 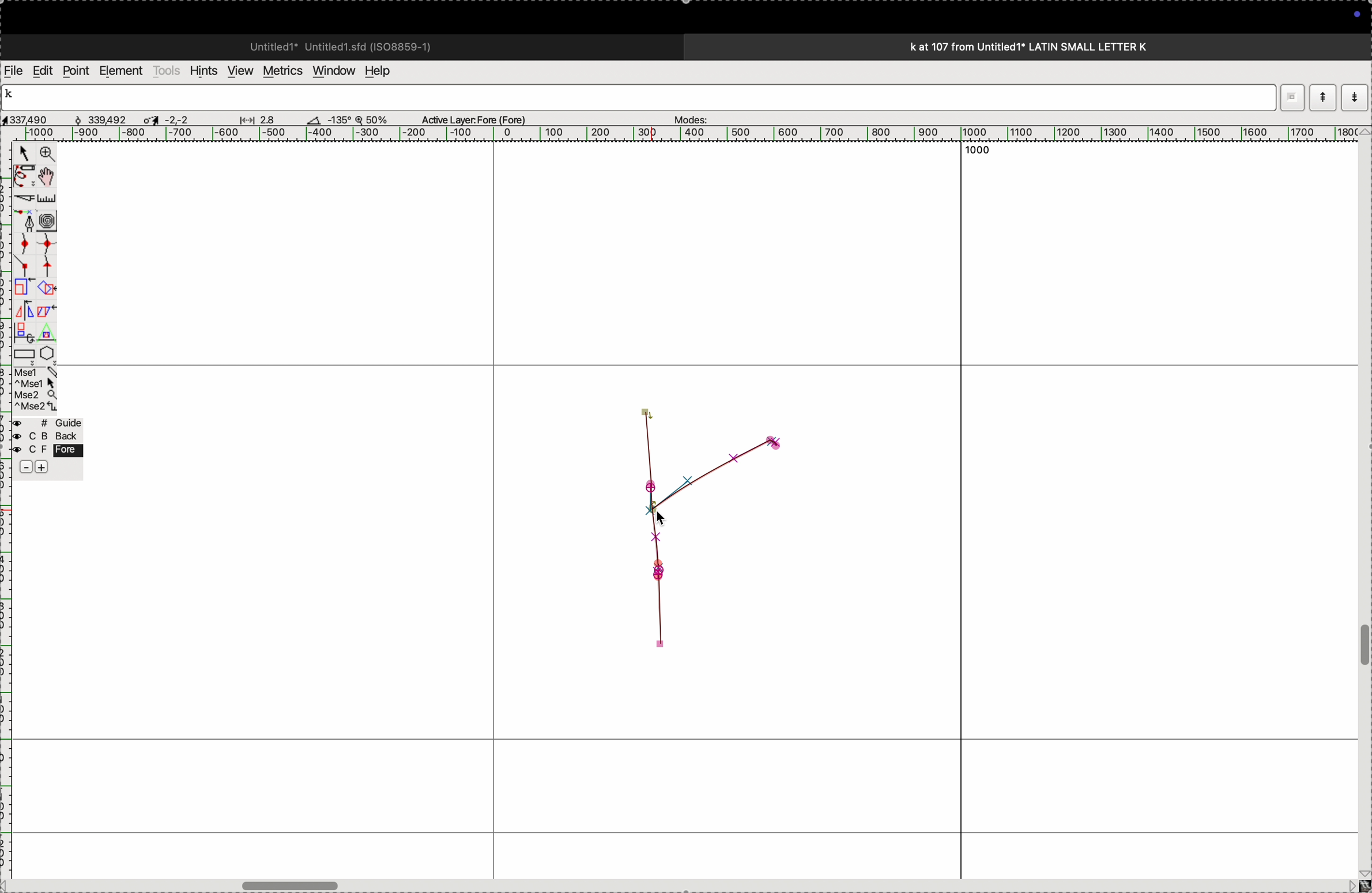 What do you see at coordinates (178, 119) in the screenshot?
I see `-2, -2` at bounding box center [178, 119].